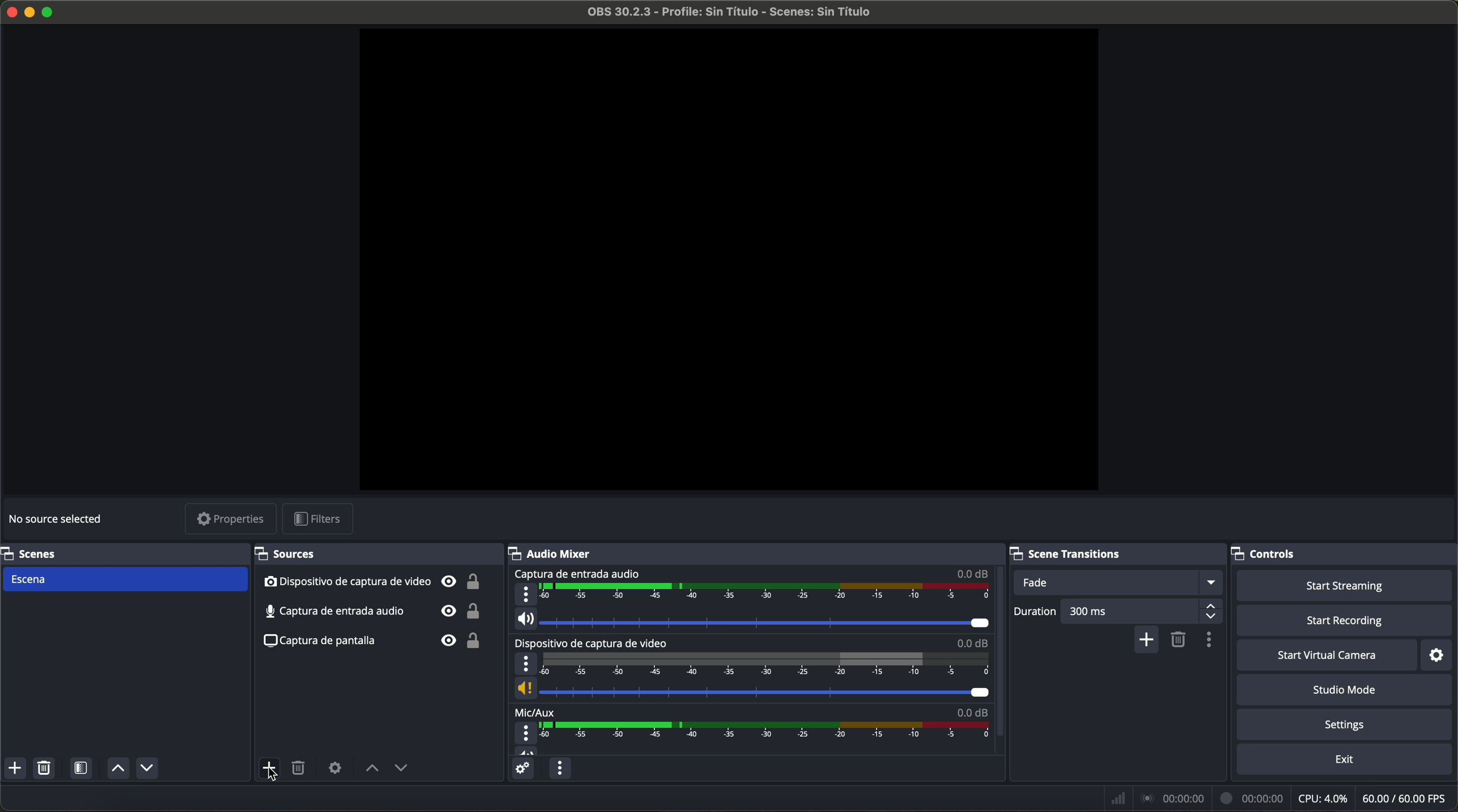 Image resolution: width=1458 pixels, height=812 pixels. What do you see at coordinates (1327, 655) in the screenshot?
I see `start virtual camera` at bounding box center [1327, 655].